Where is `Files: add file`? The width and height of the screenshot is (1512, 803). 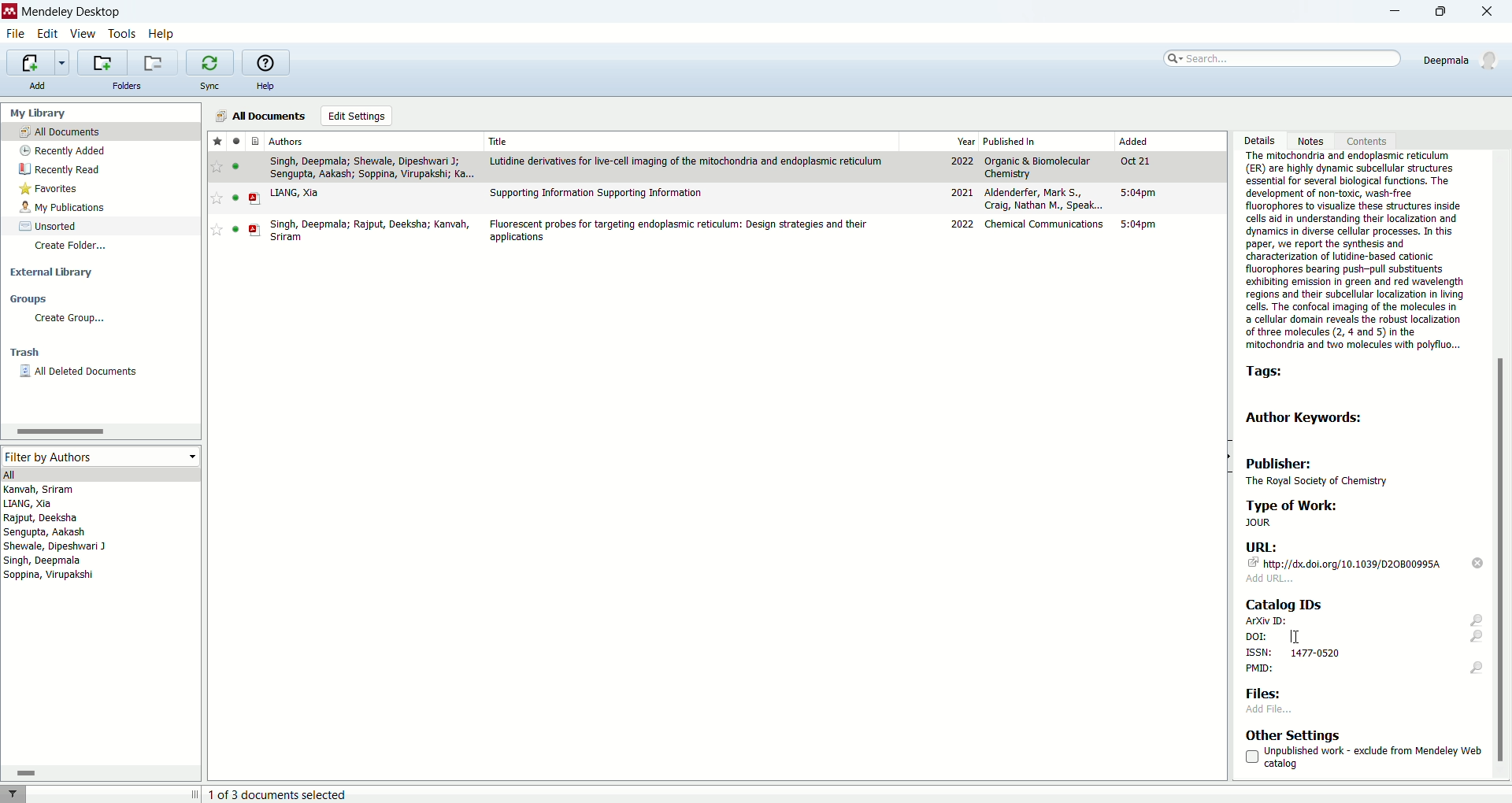 Files: add file is located at coordinates (1273, 700).